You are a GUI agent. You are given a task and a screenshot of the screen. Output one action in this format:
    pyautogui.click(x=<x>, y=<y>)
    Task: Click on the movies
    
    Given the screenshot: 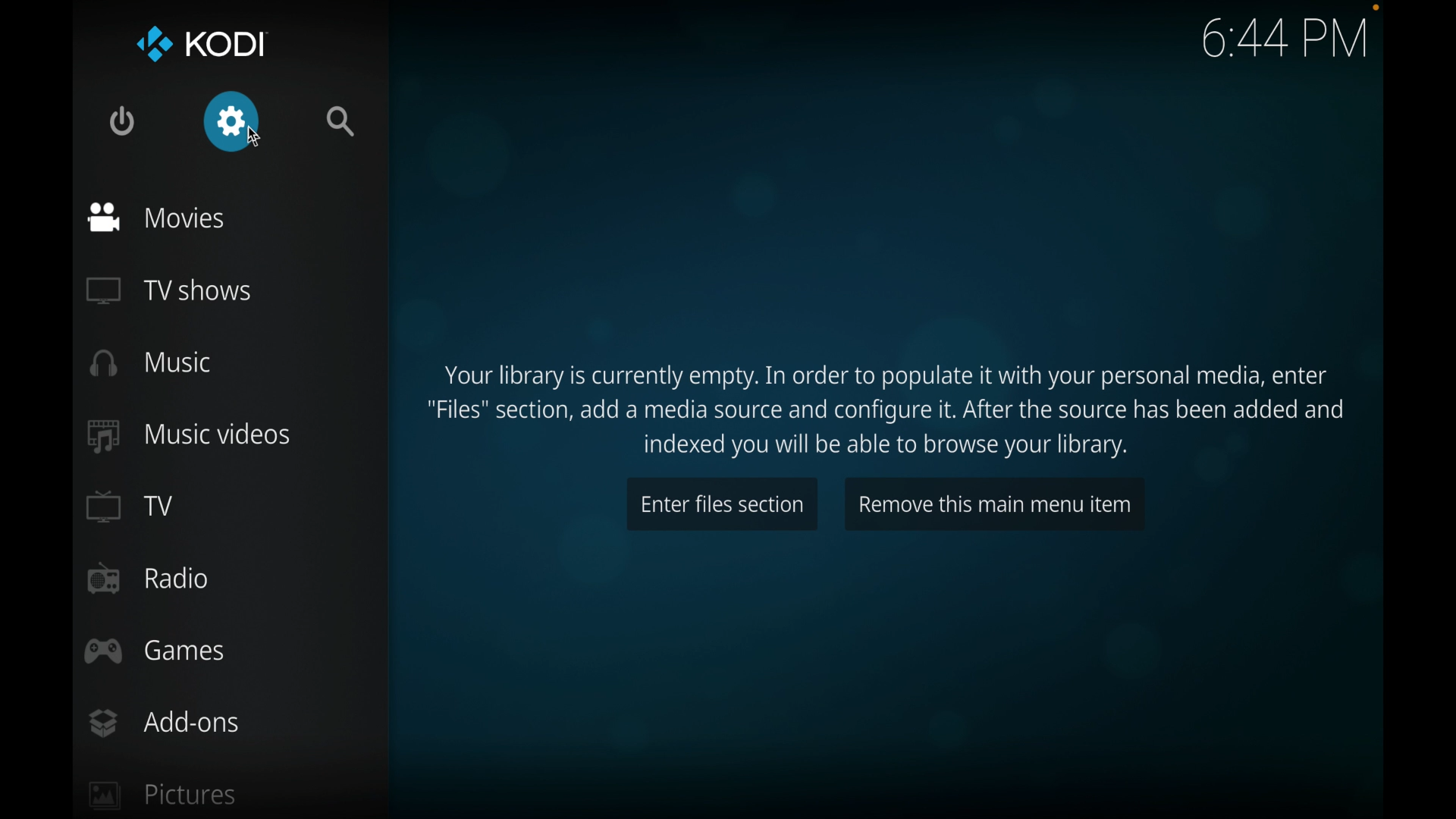 What is the action you would take?
    pyautogui.click(x=156, y=217)
    